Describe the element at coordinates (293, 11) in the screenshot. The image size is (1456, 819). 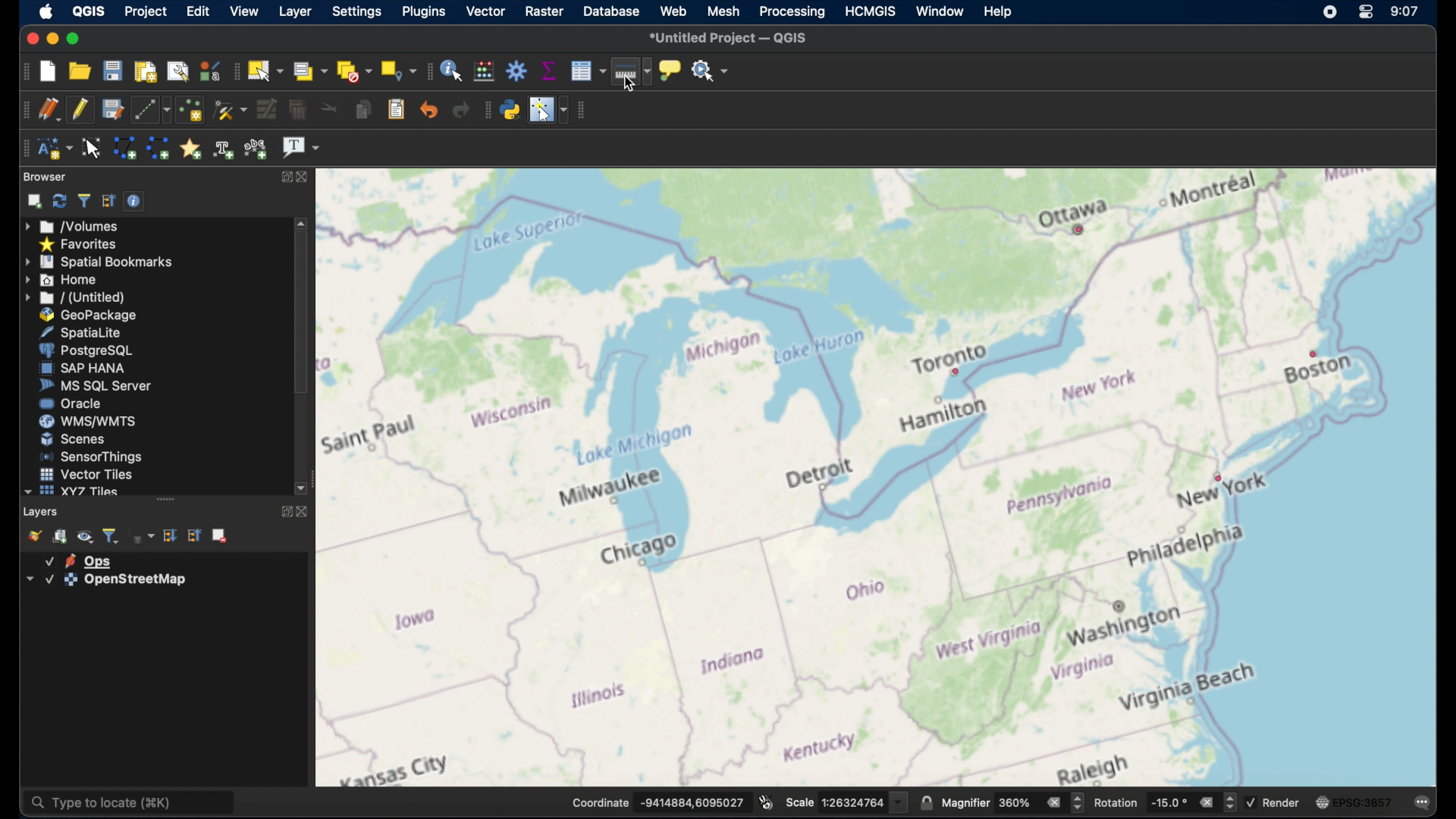
I see `layer` at that location.